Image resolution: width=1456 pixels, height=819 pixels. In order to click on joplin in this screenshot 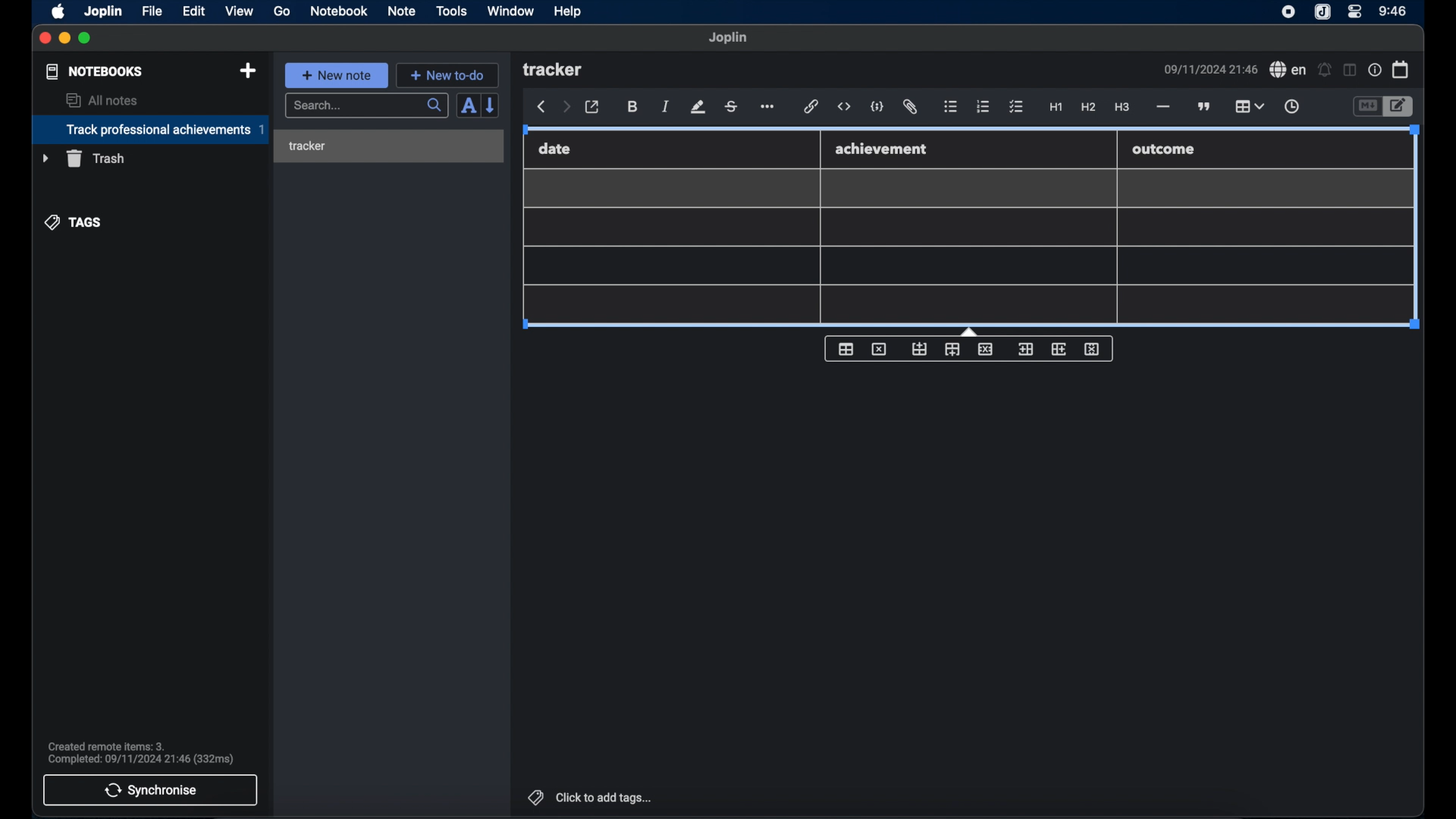, I will do `click(1323, 13)`.